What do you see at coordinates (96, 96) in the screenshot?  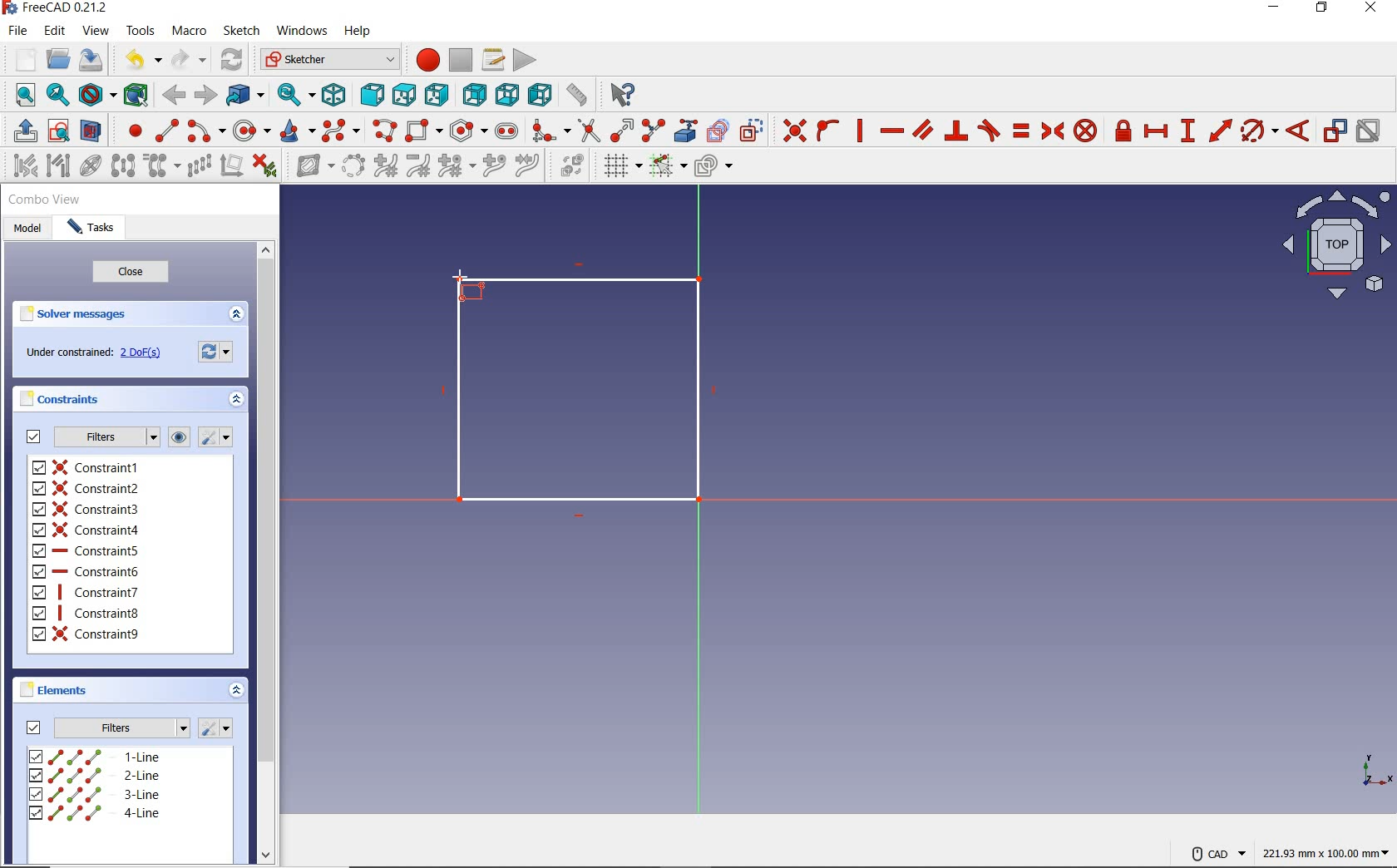 I see `draw style` at bounding box center [96, 96].